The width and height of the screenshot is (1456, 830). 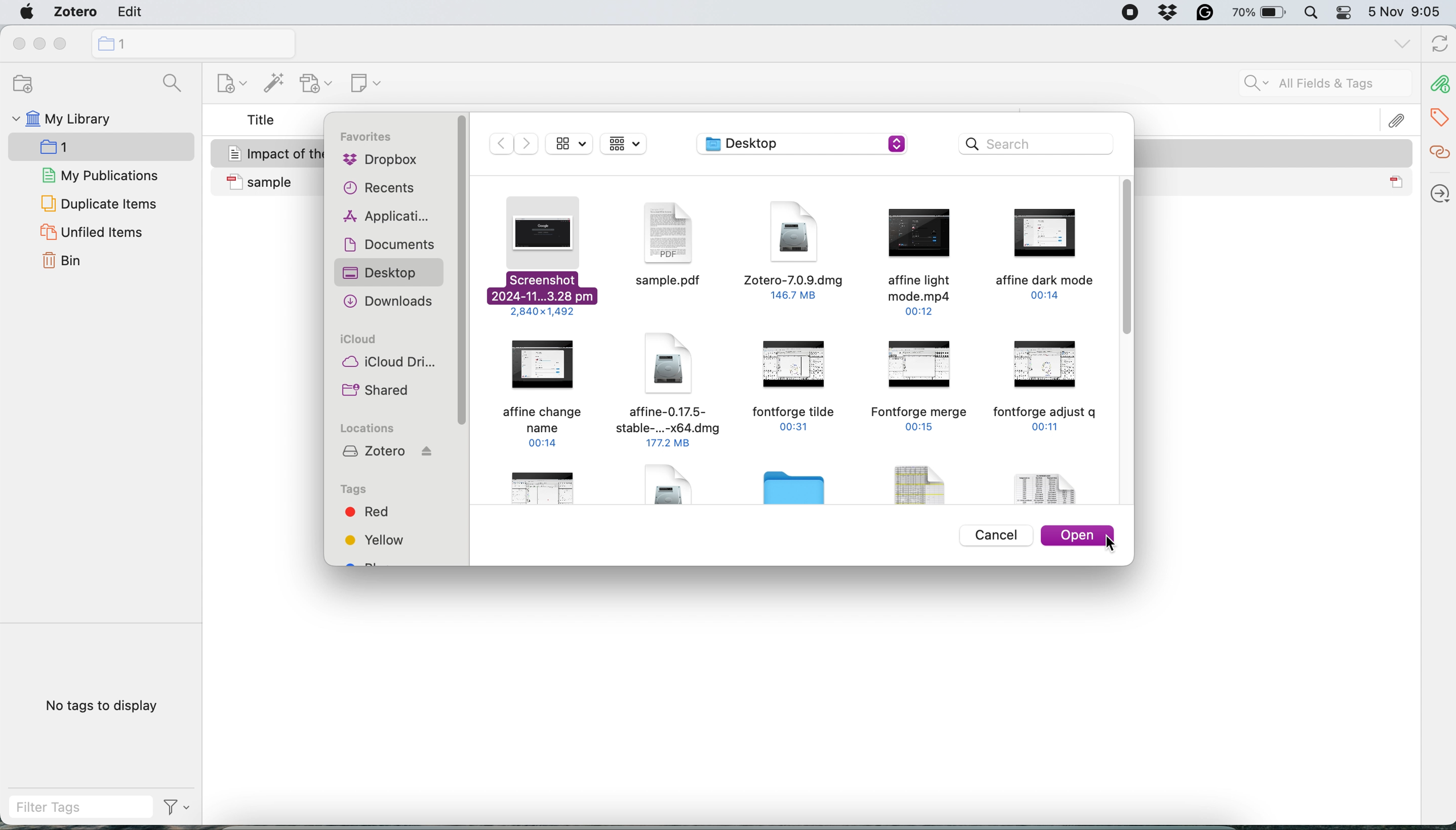 I want to click on Affine-0.17.5.dmg, so click(x=668, y=392).